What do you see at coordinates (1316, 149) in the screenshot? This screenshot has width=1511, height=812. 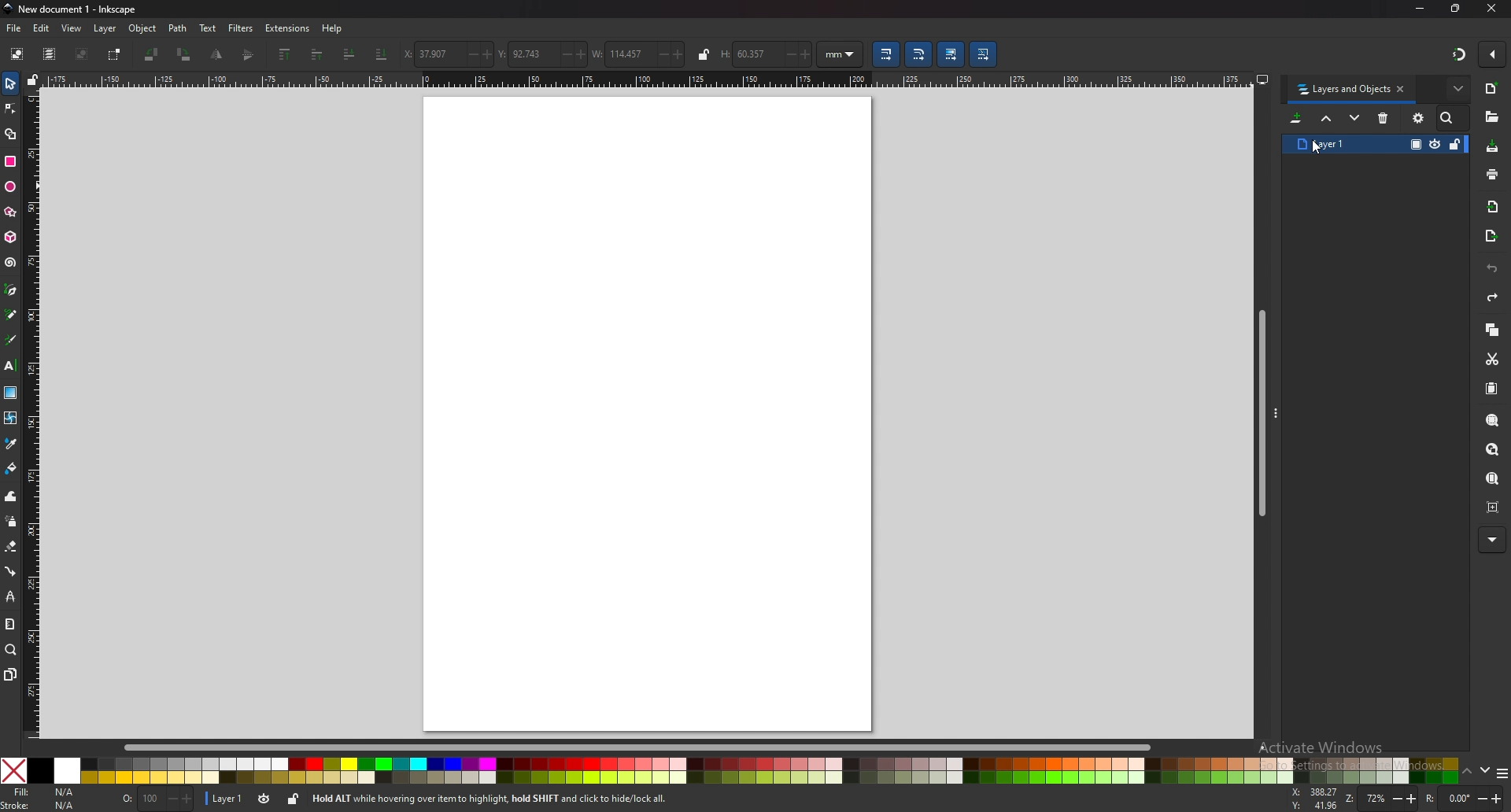 I see `cursor` at bounding box center [1316, 149].